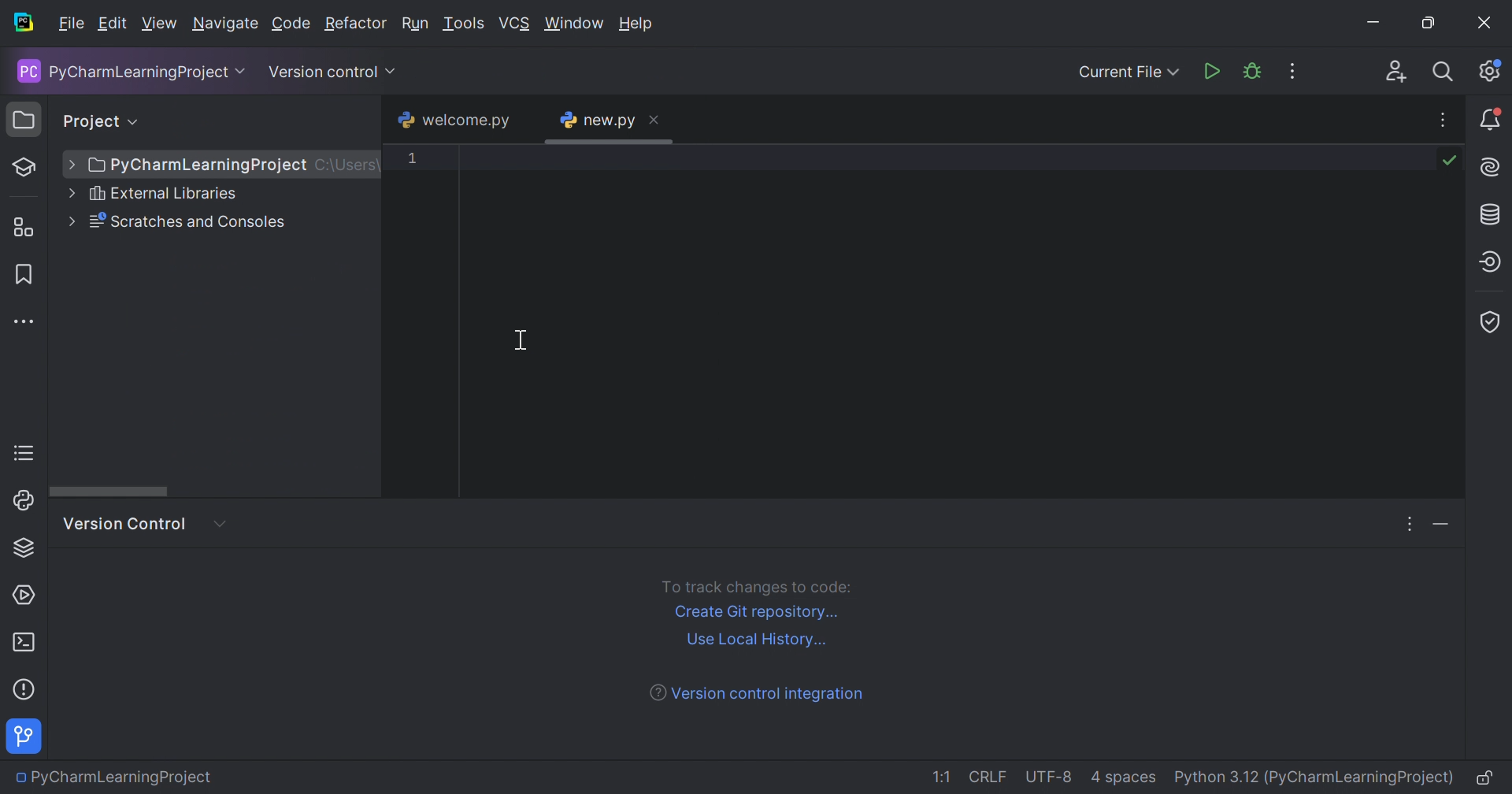 The width and height of the screenshot is (1512, 794). Describe the element at coordinates (1251, 72) in the screenshot. I see `Debug 'new.py'` at that location.